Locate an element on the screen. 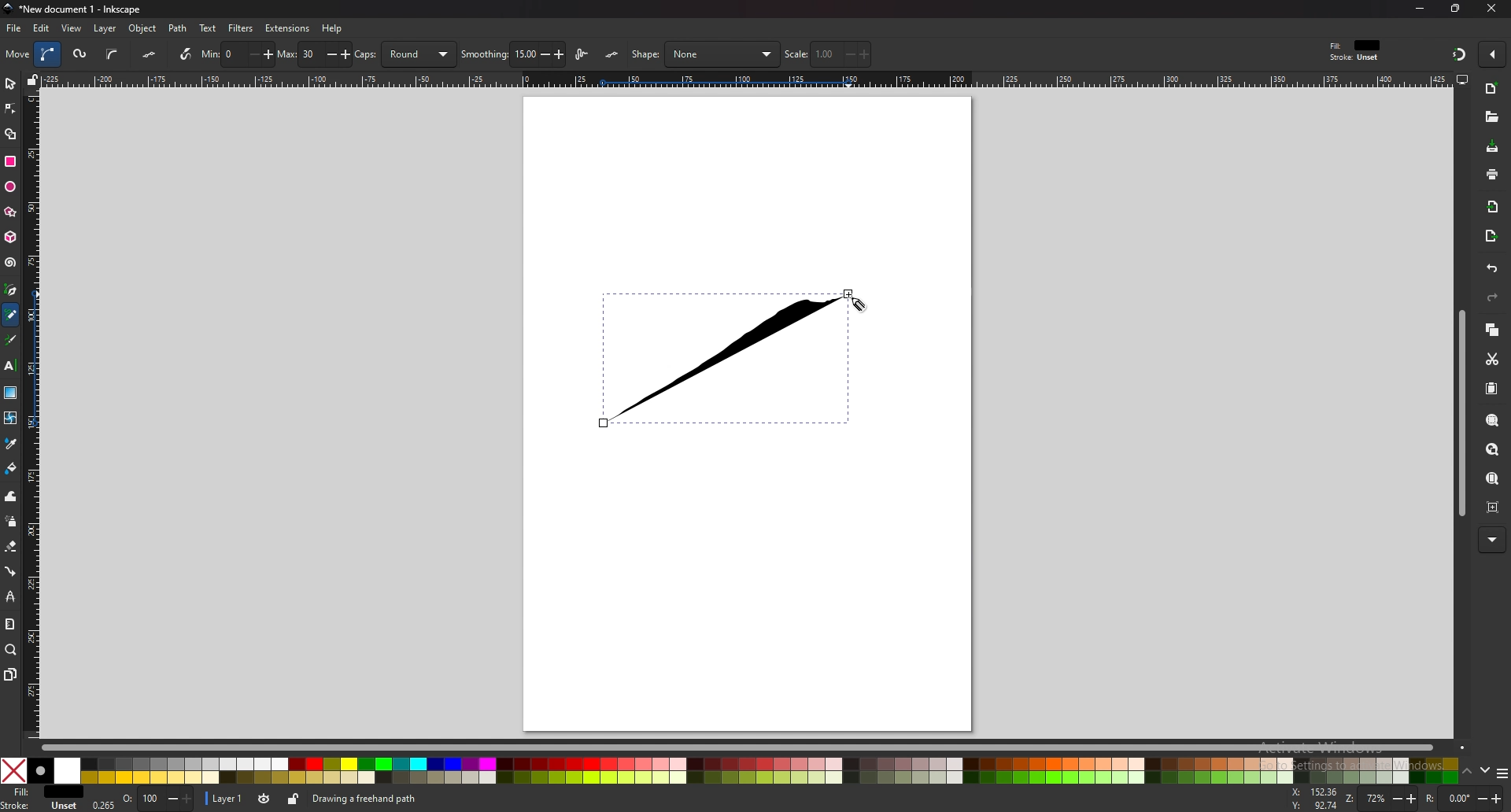 The height and width of the screenshot is (812, 1511). lock guides is located at coordinates (32, 79).